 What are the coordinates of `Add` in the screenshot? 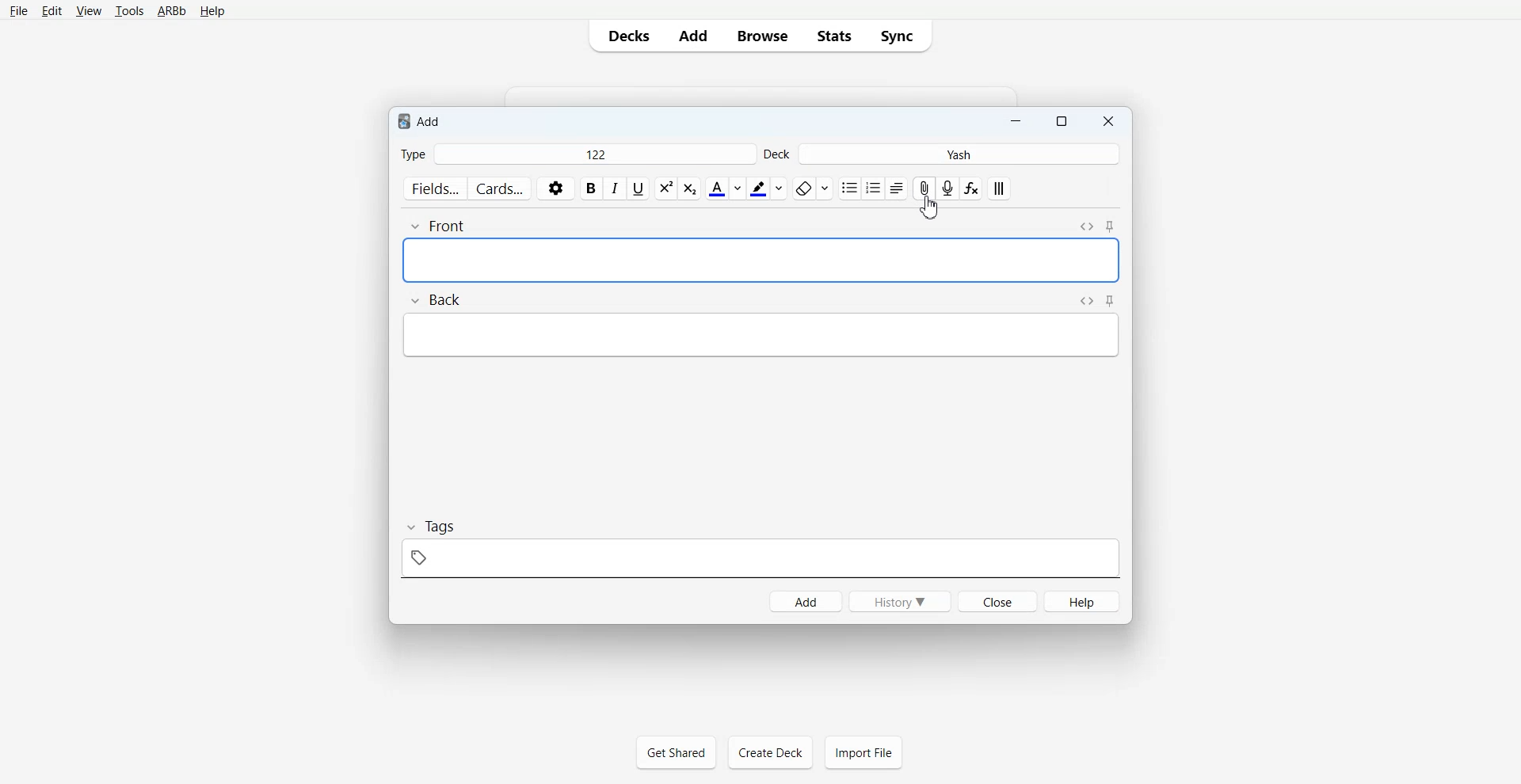 It's located at (805, 601).